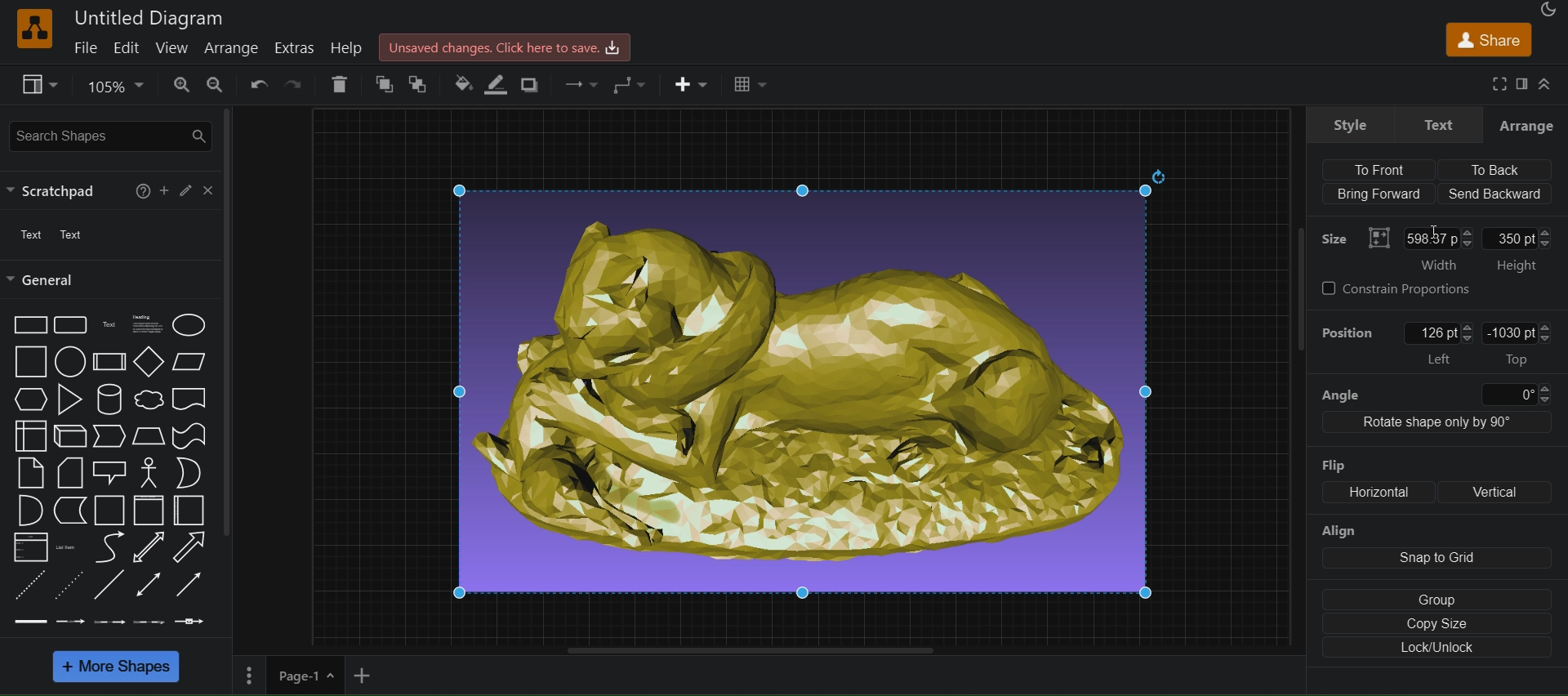 The width and height of the screenshot is (1568, 696). I want to click on zoom in, so click(177, 85).